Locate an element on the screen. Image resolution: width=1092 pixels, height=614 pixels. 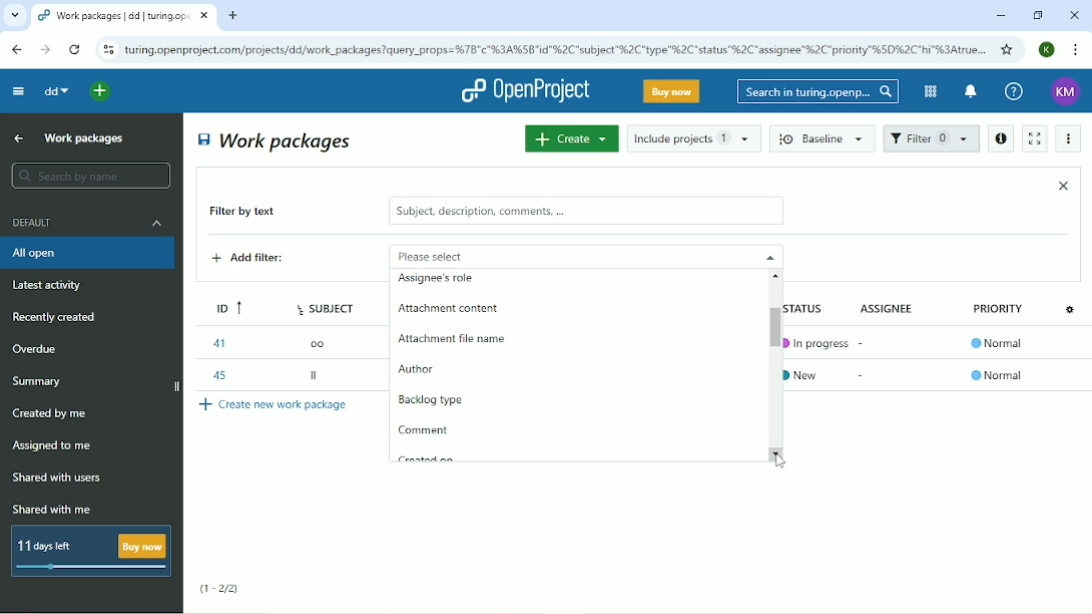
11 days left buy now is located at coordinates (89, 551).